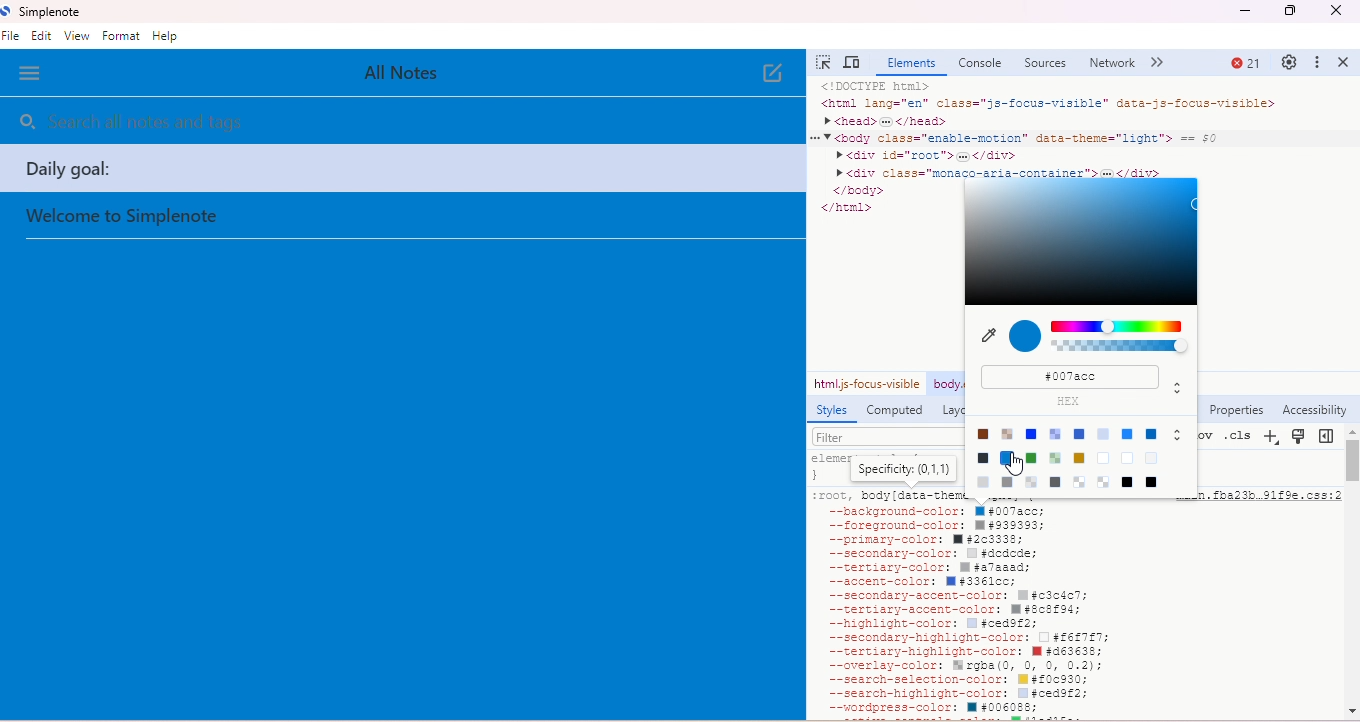  I want to click on main.fba23b.91f9e.css:2, so click(1268, 498).